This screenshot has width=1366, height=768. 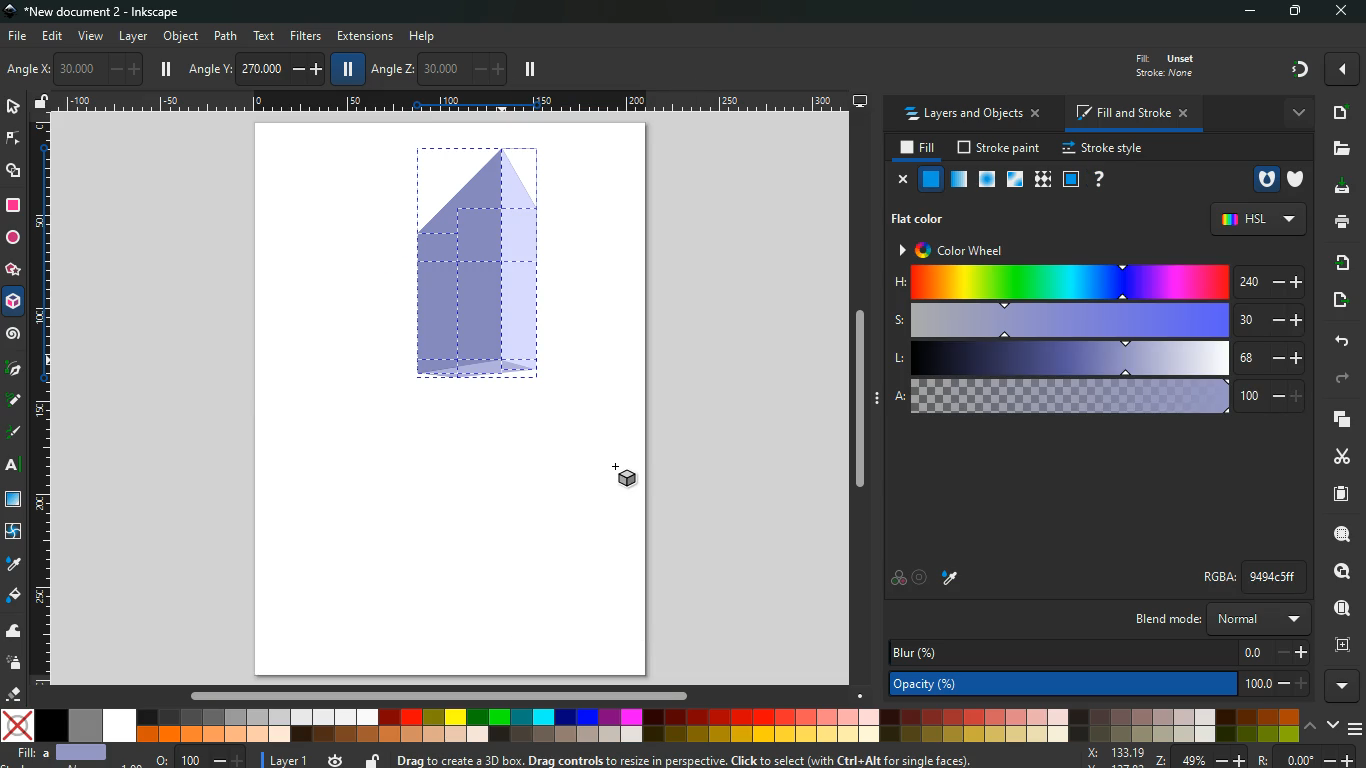 I want to click on normal, so click(x=929, y=179).